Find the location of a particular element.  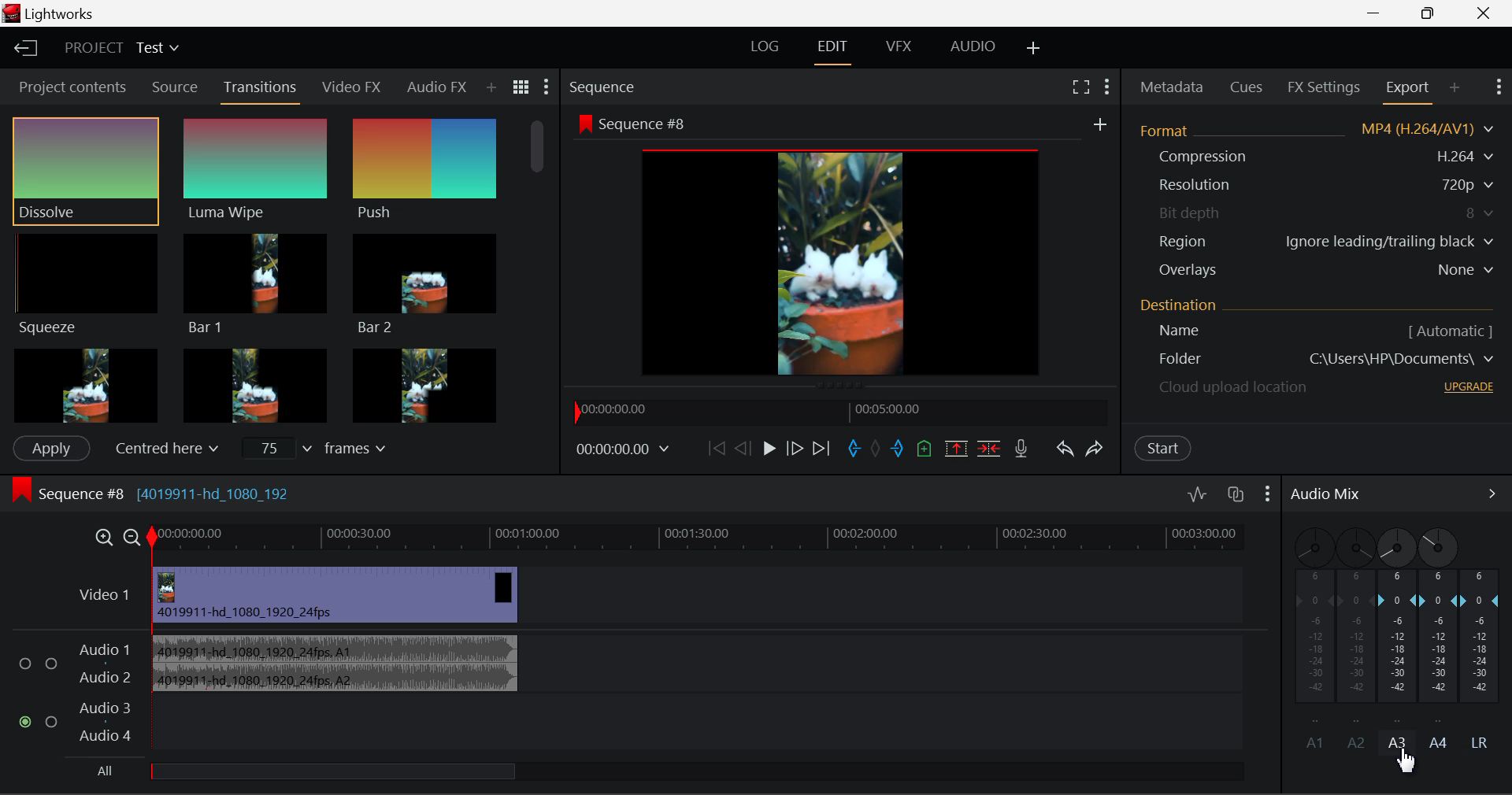

A1 Sound Disabled is located at coordinates (1312, 638).